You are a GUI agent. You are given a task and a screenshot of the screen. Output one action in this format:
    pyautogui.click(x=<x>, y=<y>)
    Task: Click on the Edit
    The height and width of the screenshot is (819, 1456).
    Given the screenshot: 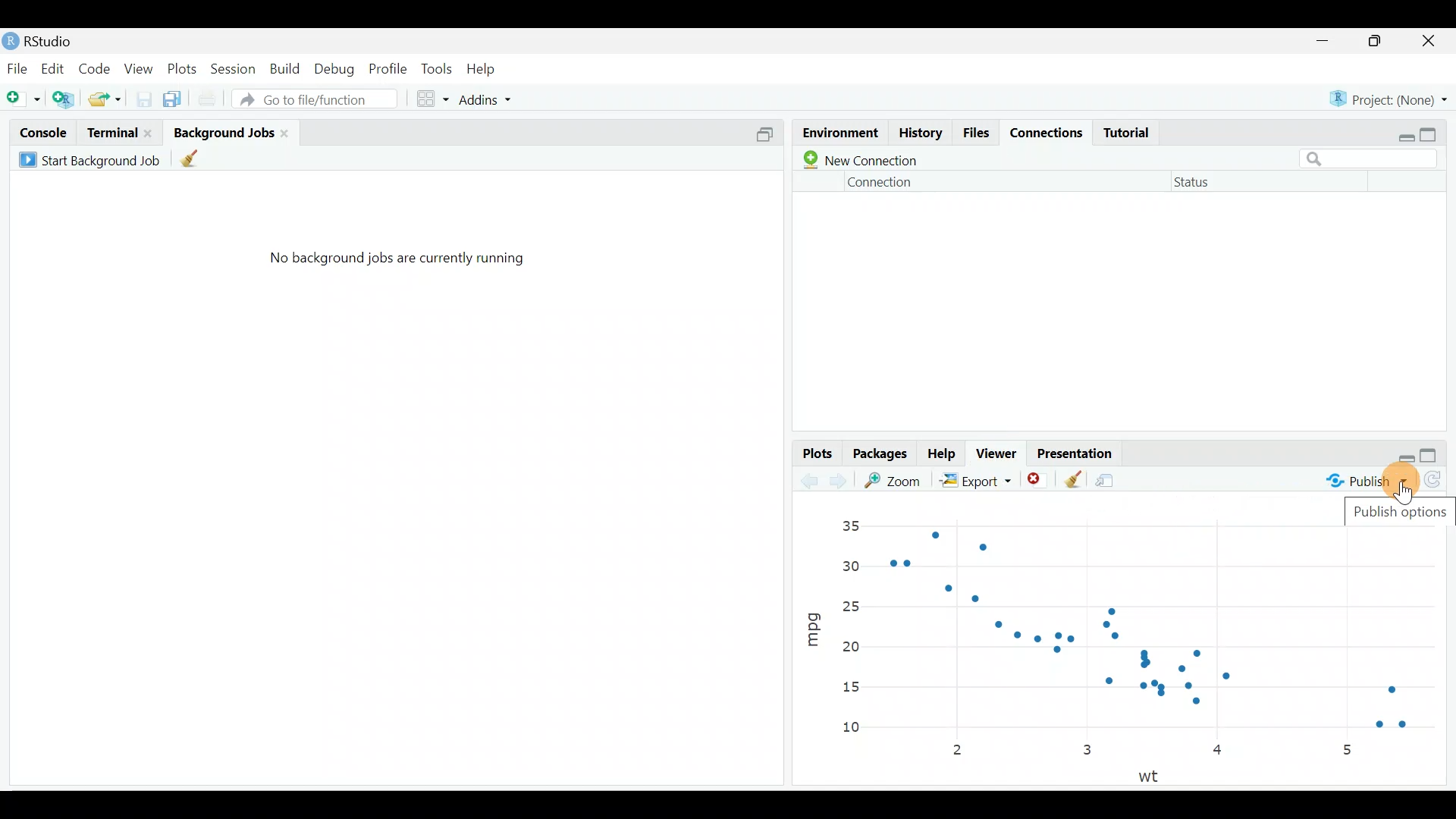 What is the action you would take?
    pyautogui.click(x=52, y=67)
    